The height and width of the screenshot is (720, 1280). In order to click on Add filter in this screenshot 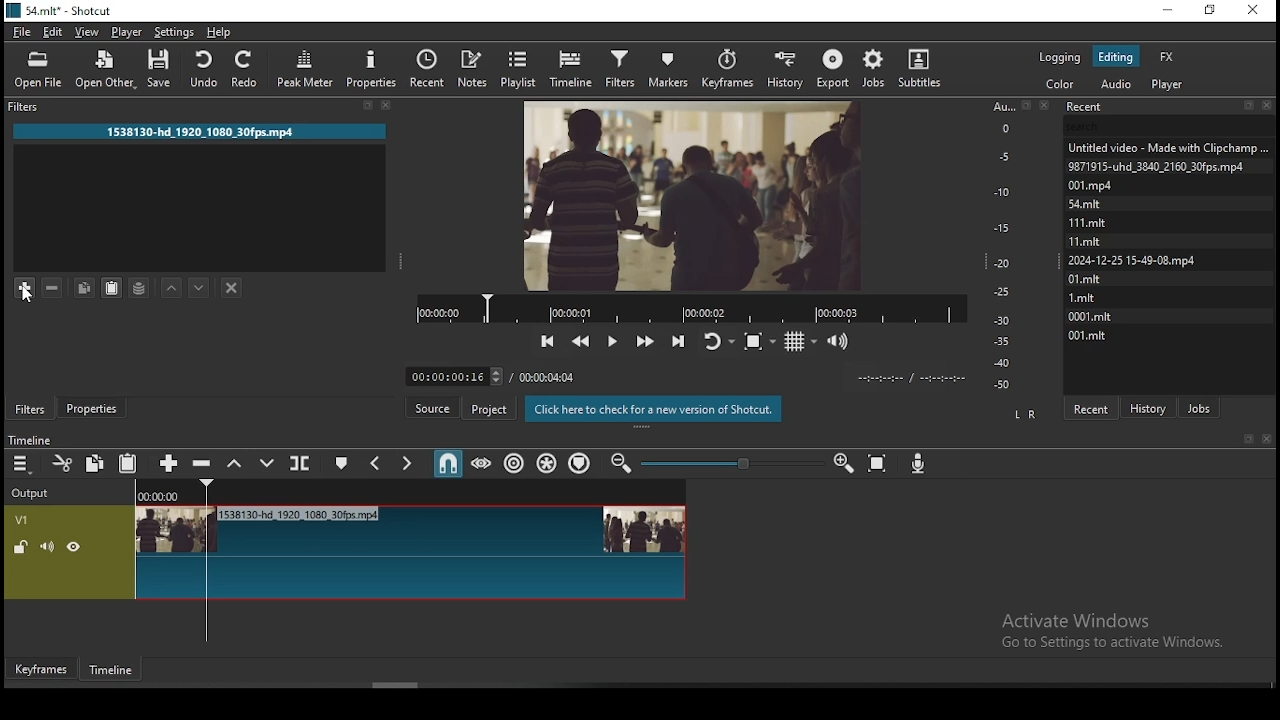, I will do `click(24, 290)`.